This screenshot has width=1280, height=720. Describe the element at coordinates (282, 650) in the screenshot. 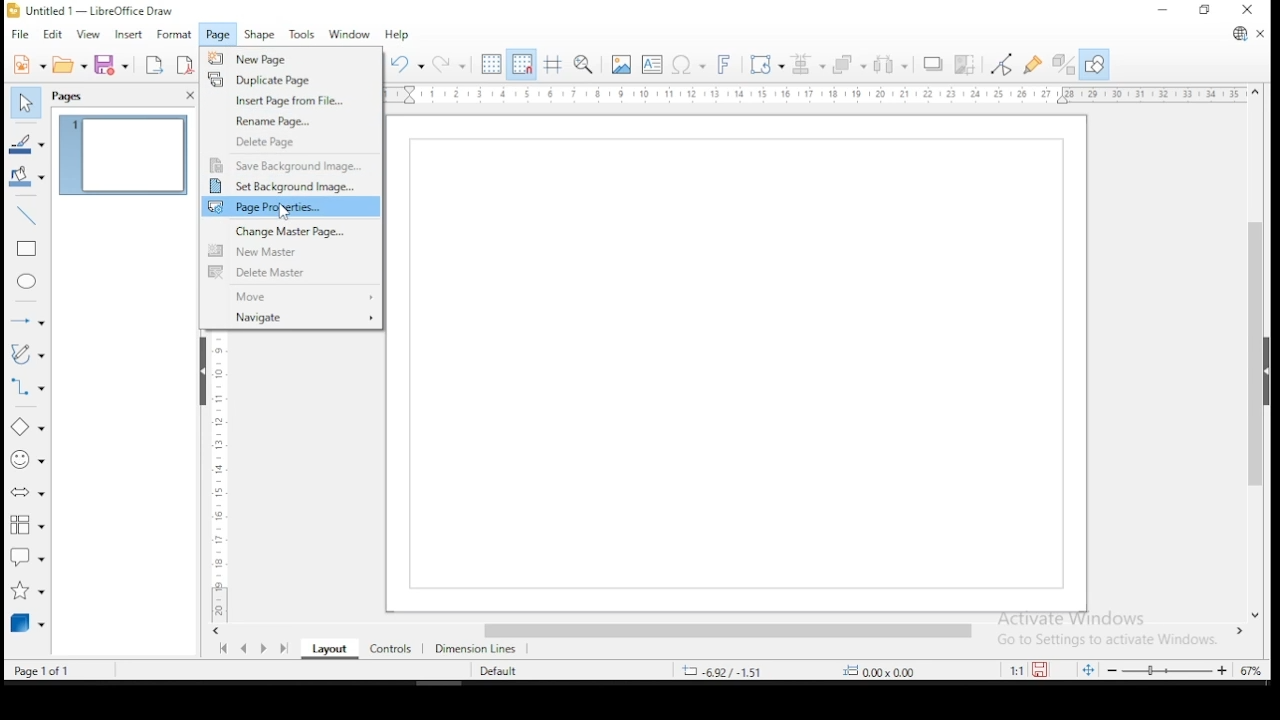

I see `last page` at that location.